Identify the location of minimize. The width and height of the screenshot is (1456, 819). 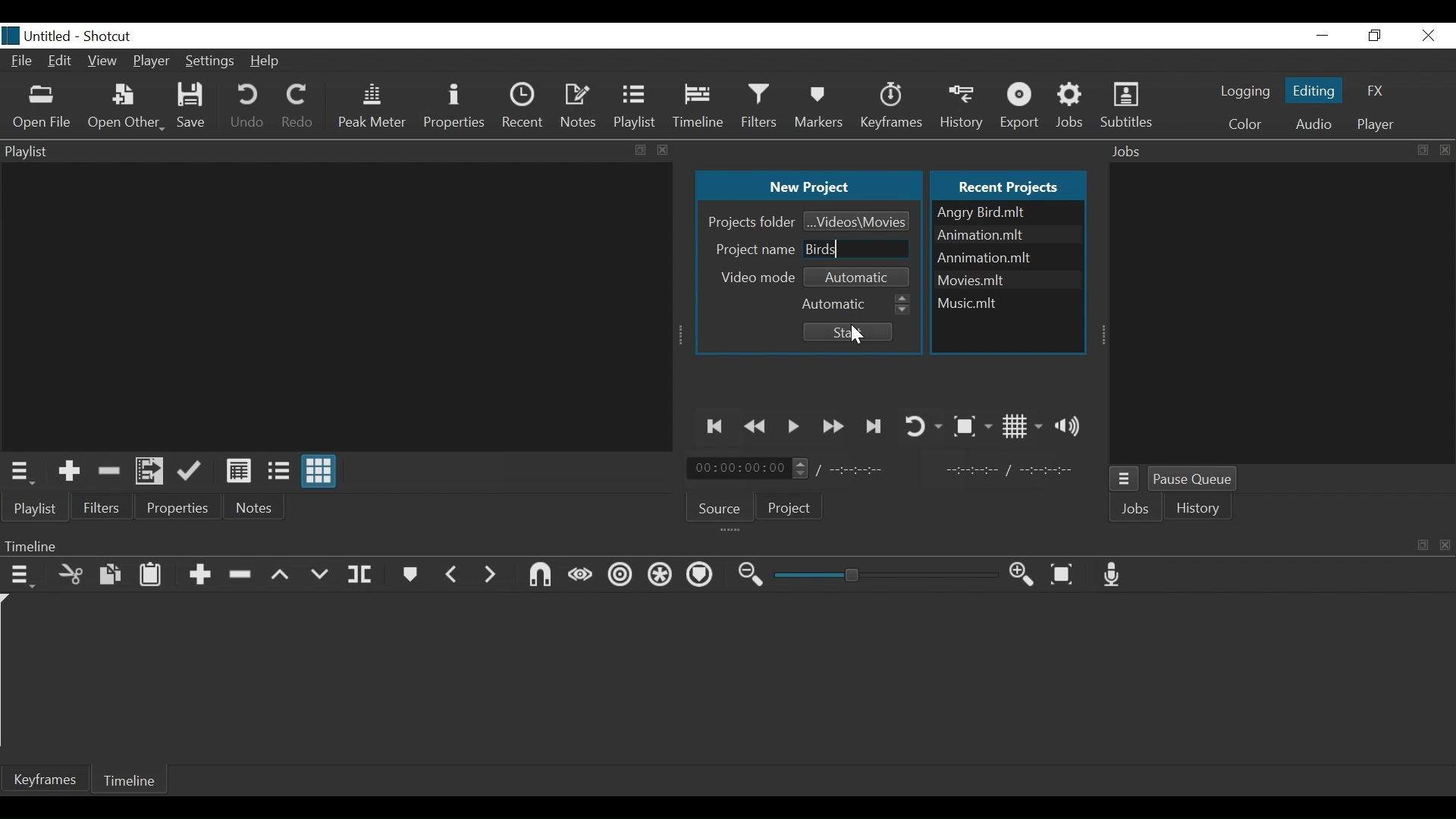
(1323, 35).